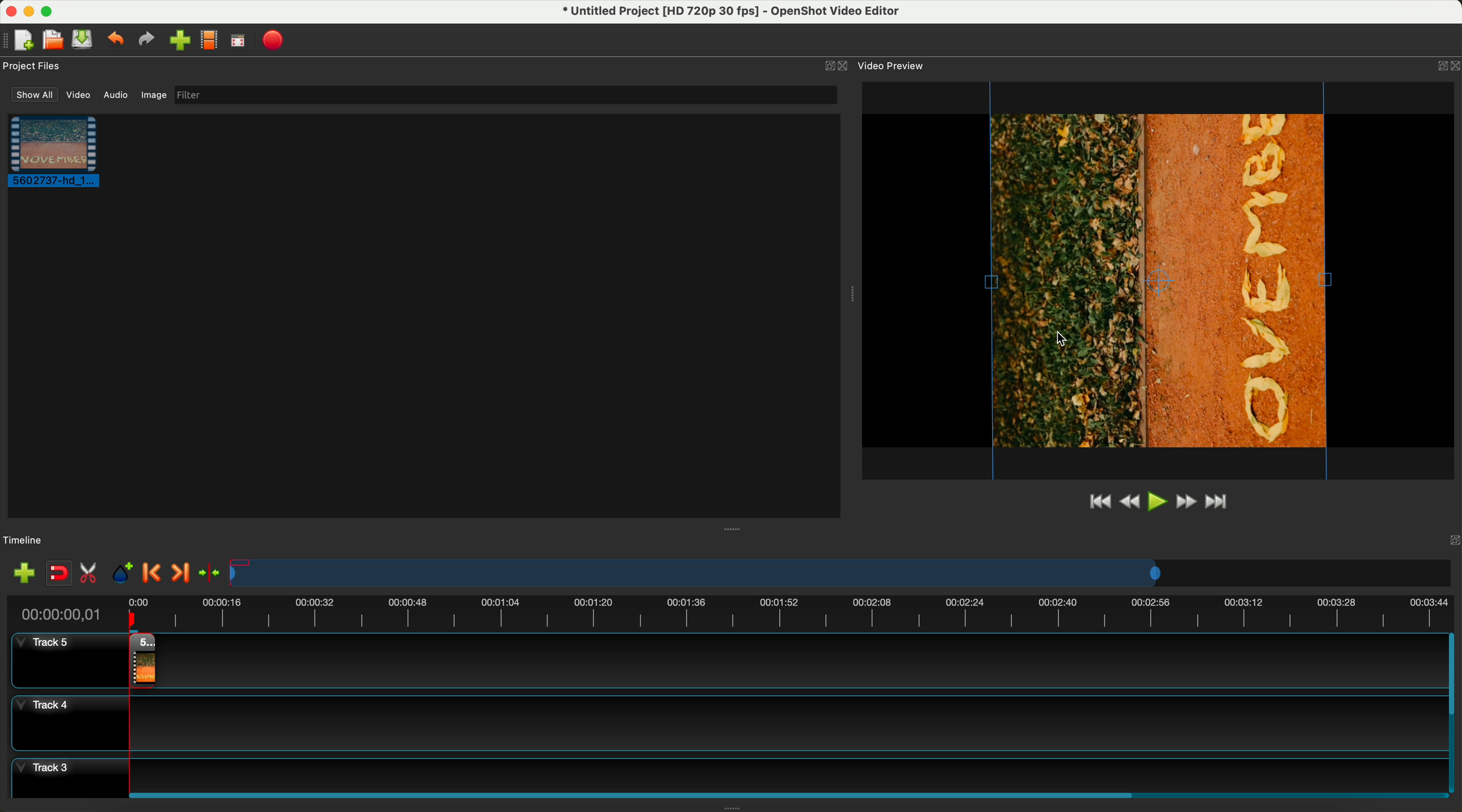 The image size is (1462, 812). Describe the element at coordinates (153, 573) in the screenshot. I see `previous marker` at that location.